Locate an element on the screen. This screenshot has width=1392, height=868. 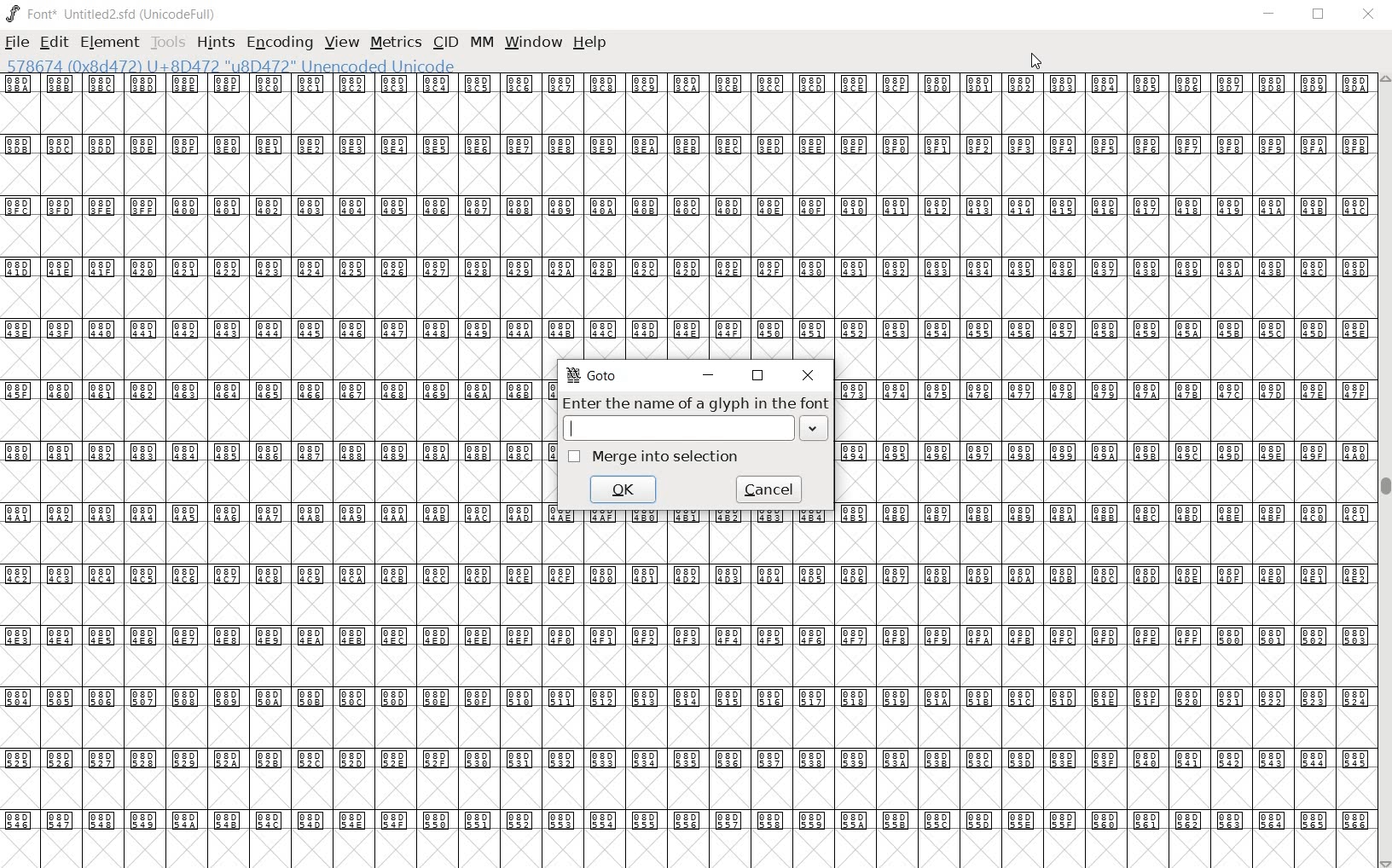
scrollbar is located at coordinates (1383, 471).